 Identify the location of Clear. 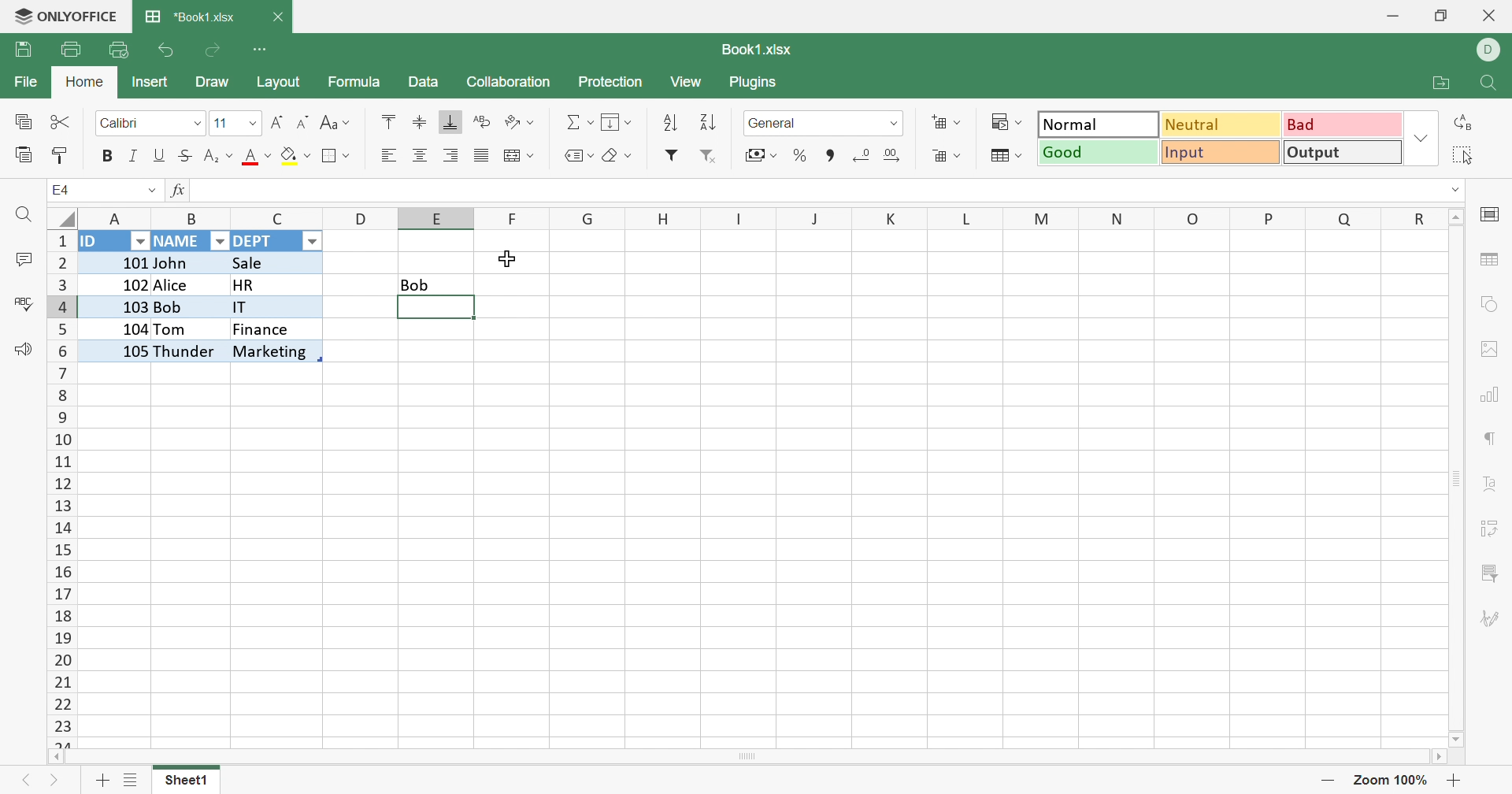
(617, 155).